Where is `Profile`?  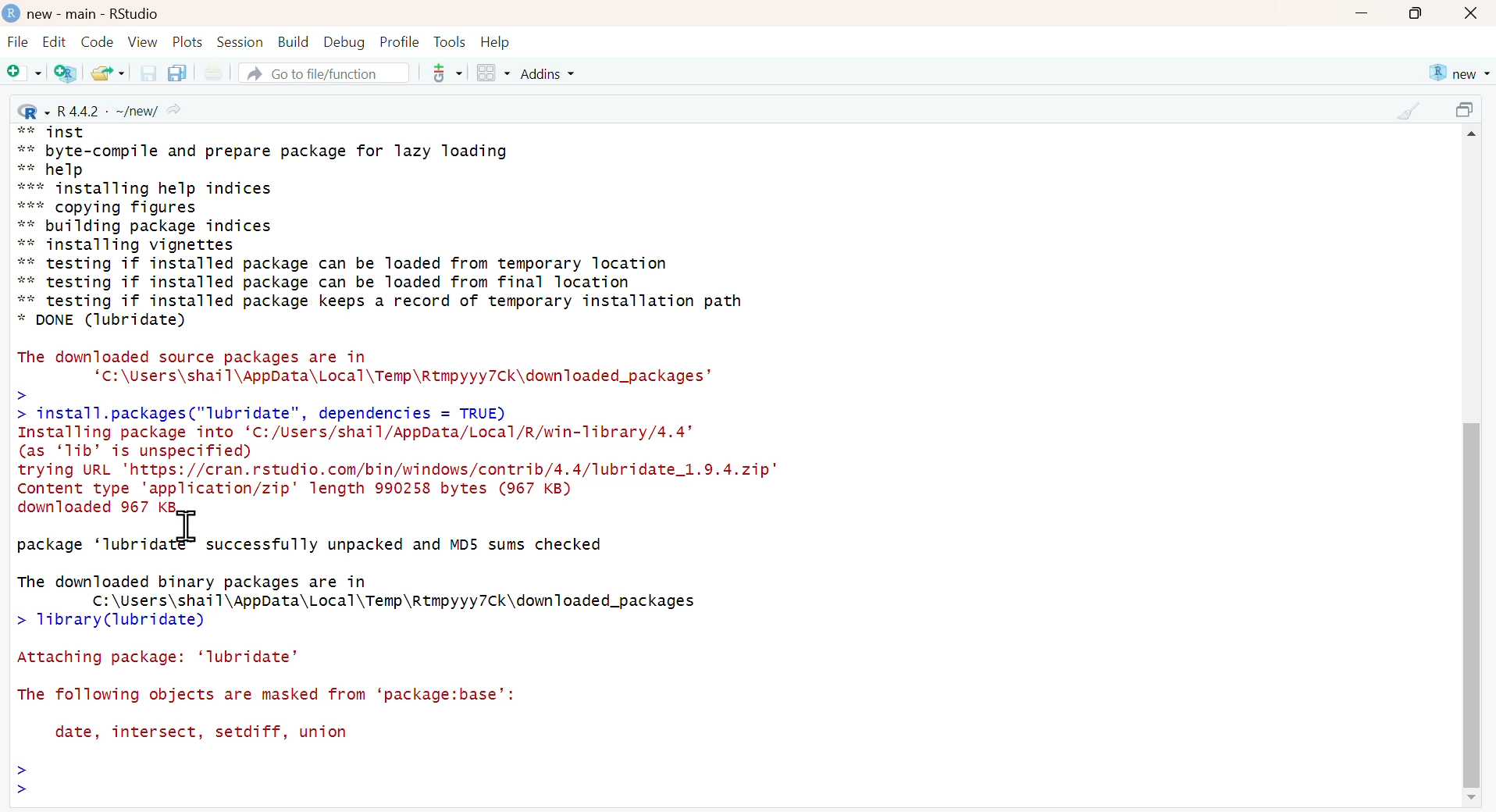 Profile is located at coordinates (400, 41).